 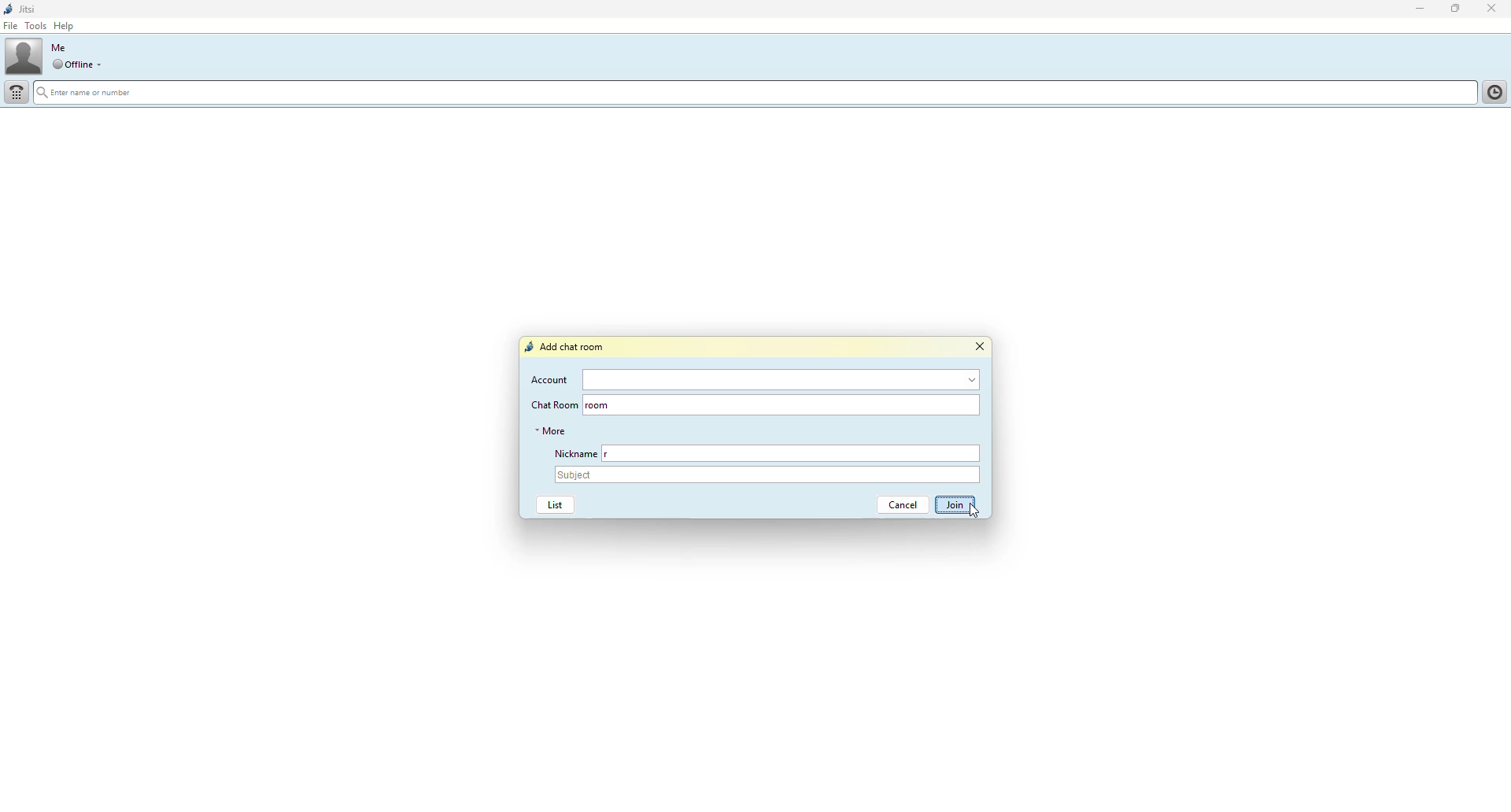 What do you see at coordinates (1454, 9) in the screenshot?
I see `maximize` at bounding box center [1454, 9].